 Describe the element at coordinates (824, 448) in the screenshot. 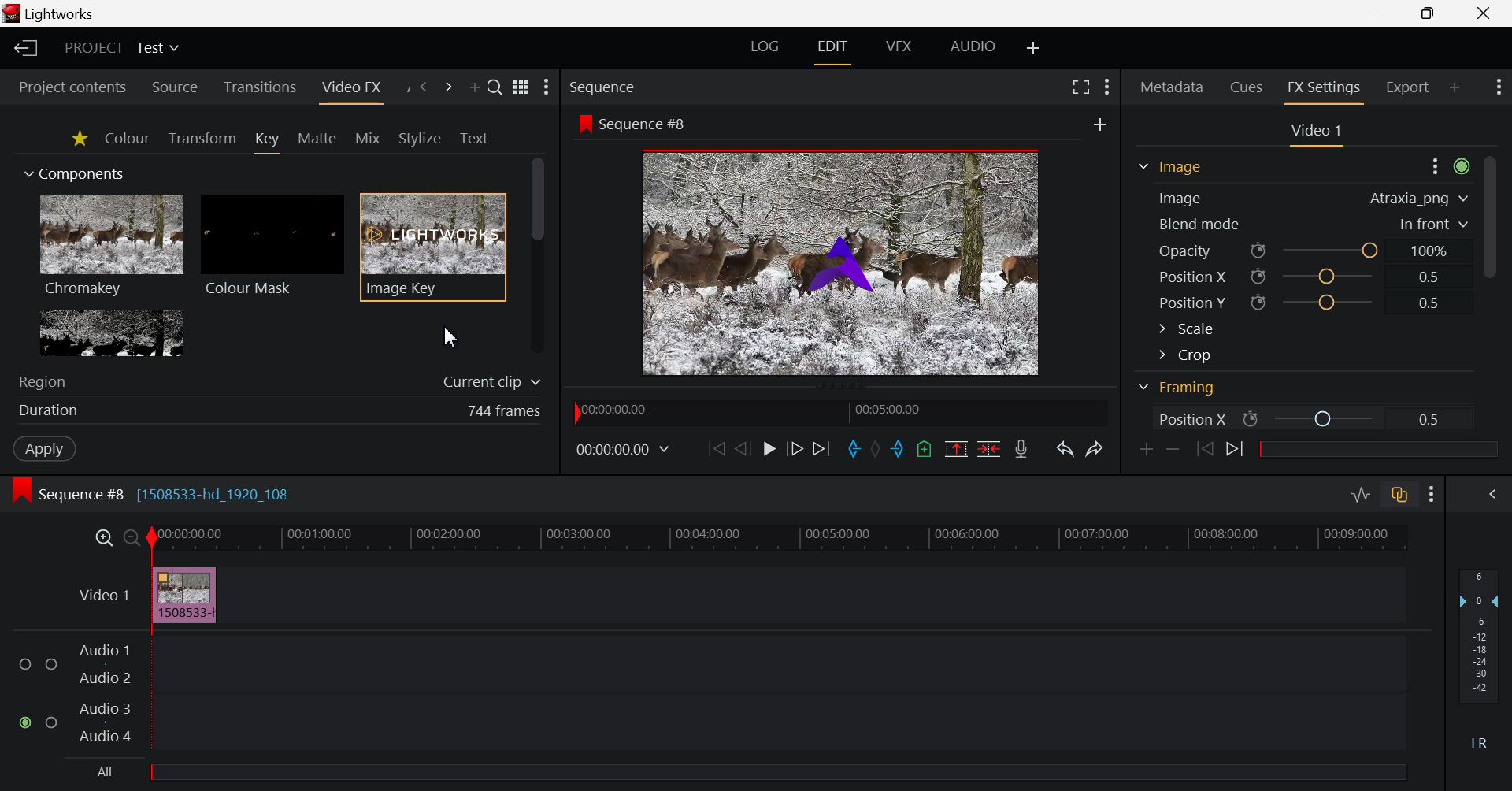

I see `To End` at that location.